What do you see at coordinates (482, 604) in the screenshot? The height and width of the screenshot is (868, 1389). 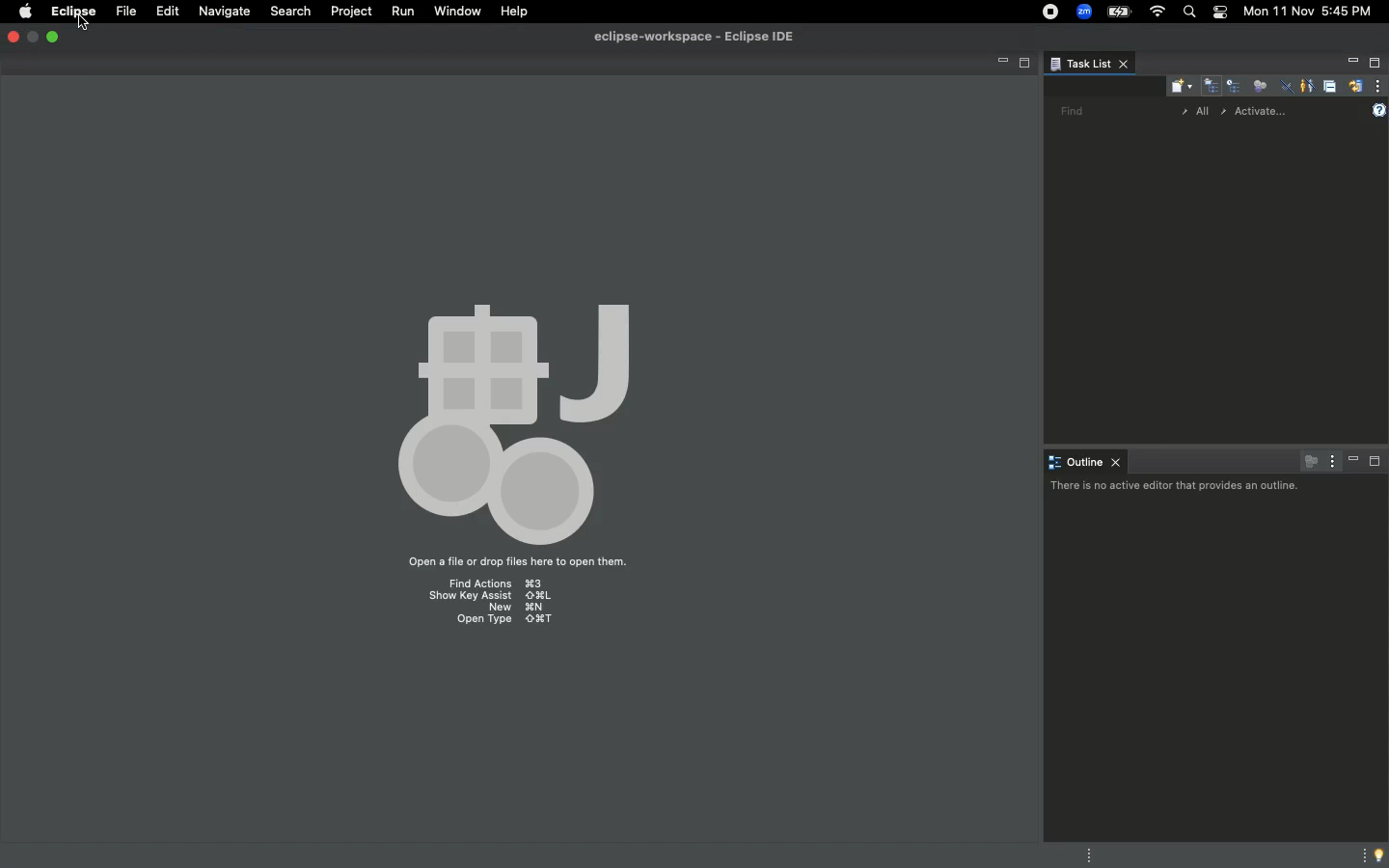 I see `Find Actions 33
‘Show Key Assist ORL
New %N
OpenType XT` at bounding box center [482, 604].